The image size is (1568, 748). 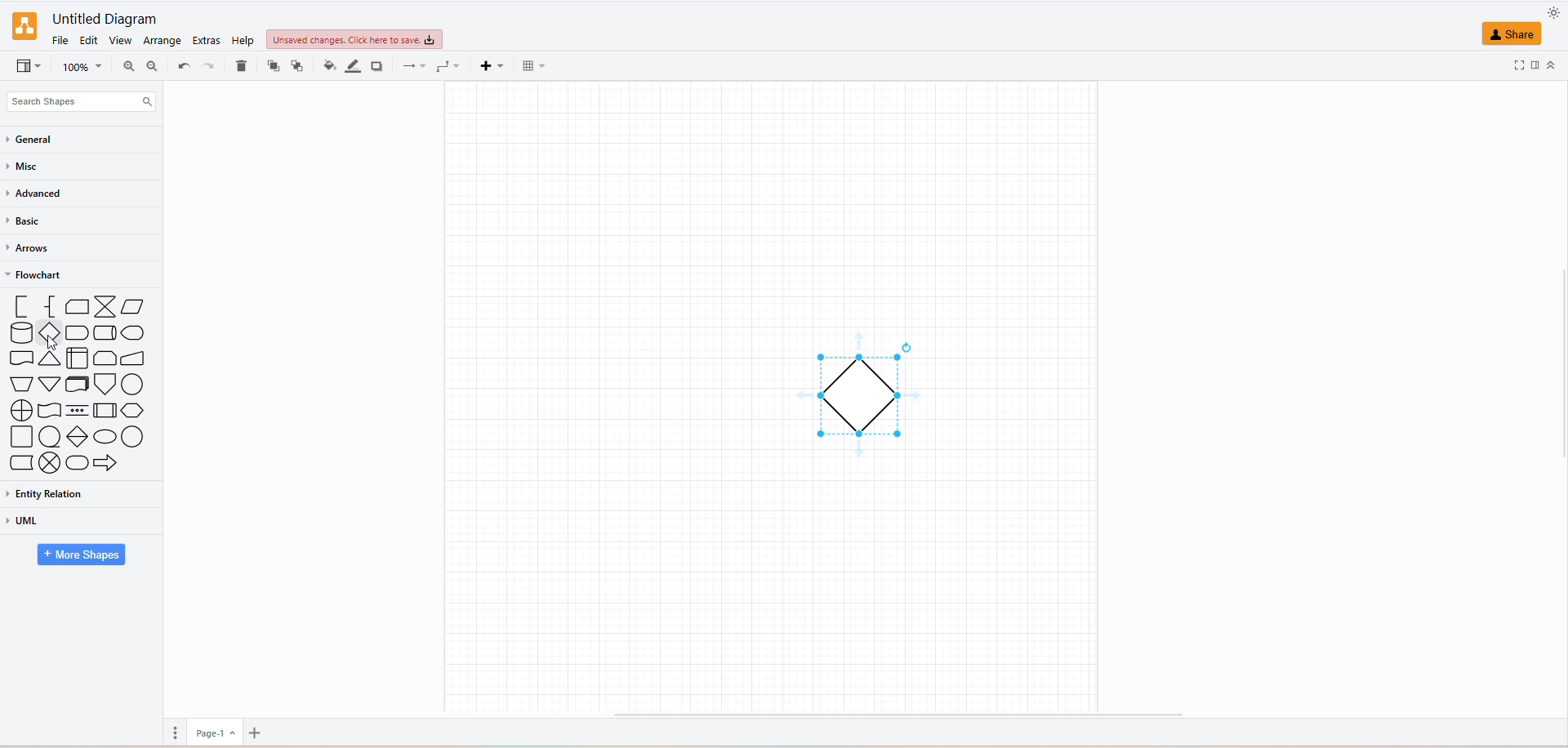 I want to click on decision, so click(x=868, y=394).